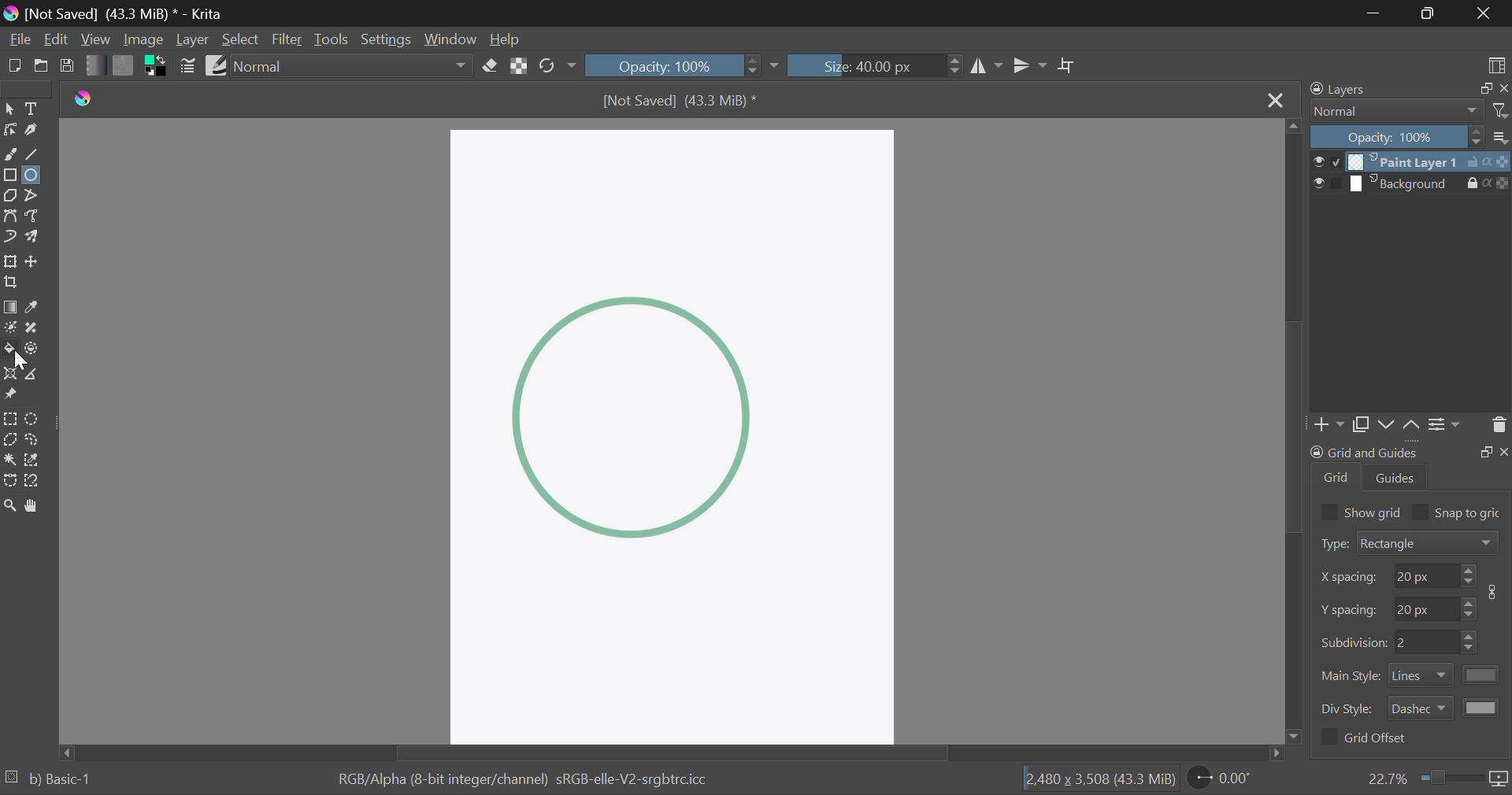 This screenshot has height=795, width=1512. Describe the element at coordinates (33, 194) in the screenshot. I see `Polyline` at that location.